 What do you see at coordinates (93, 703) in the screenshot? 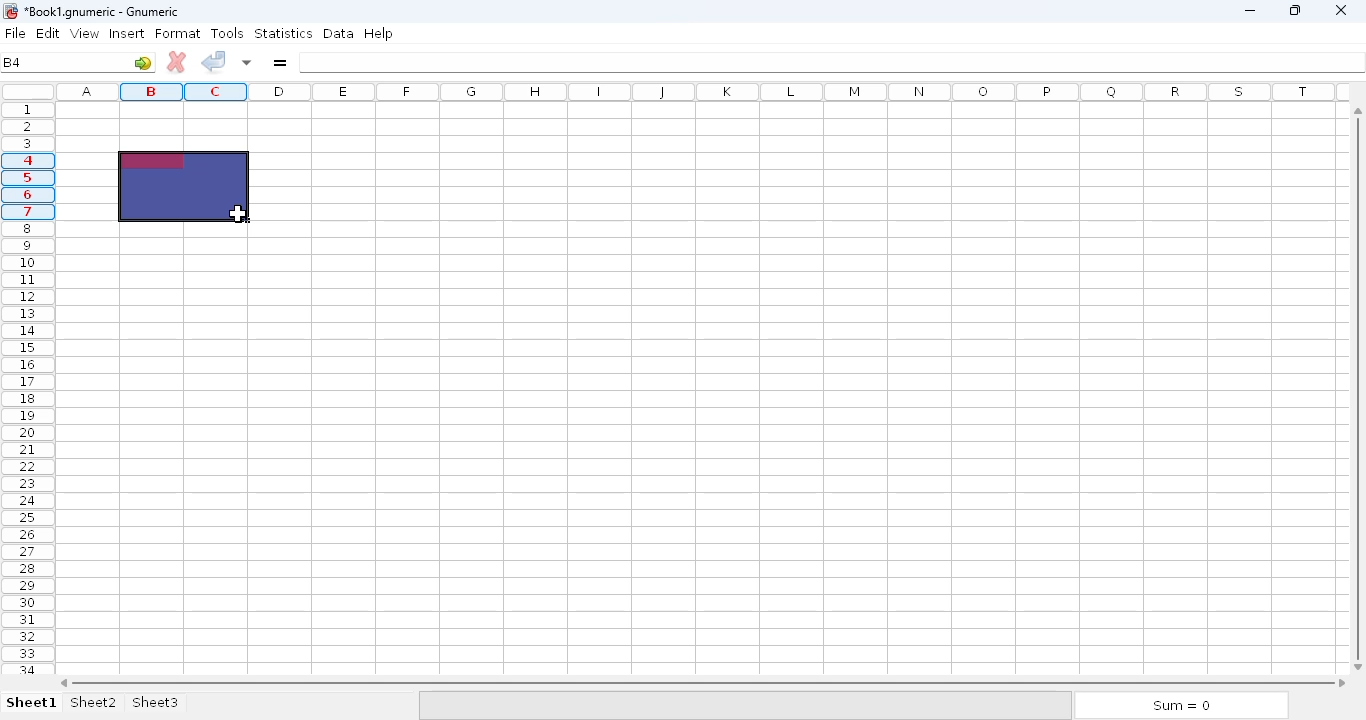
I see `sheet2` at bounding box center [93, 703].